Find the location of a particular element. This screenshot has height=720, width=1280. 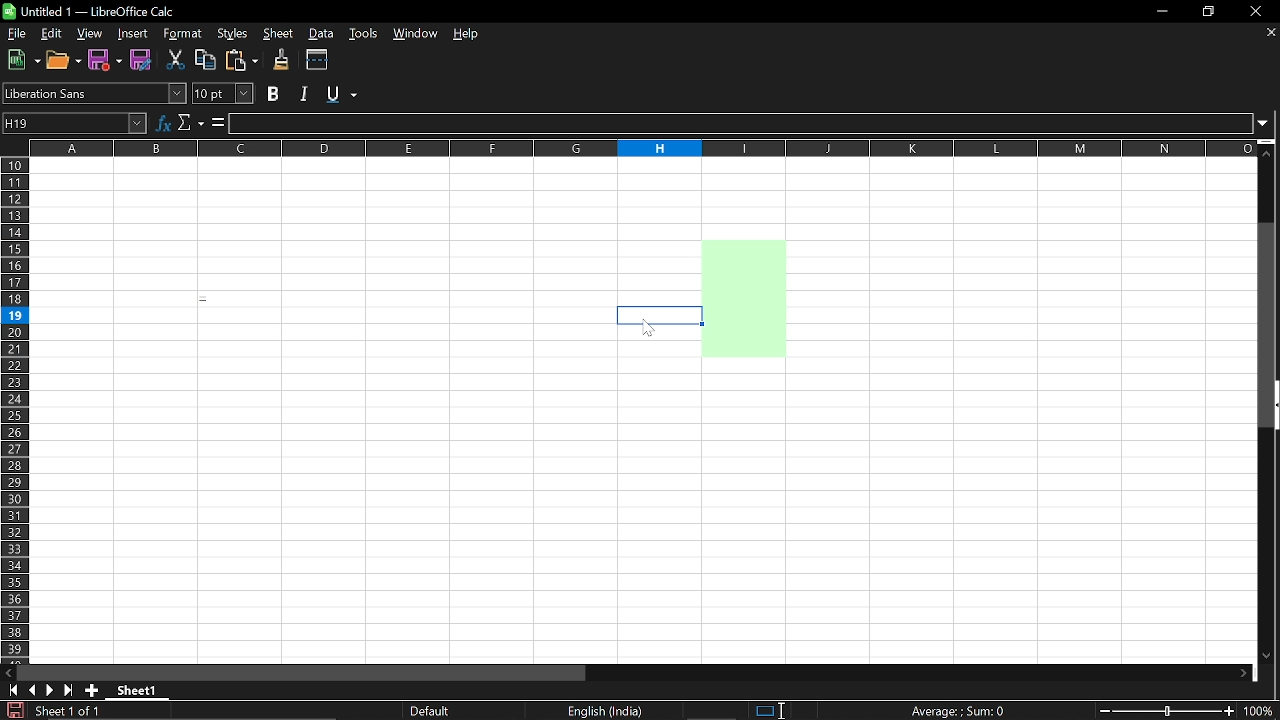

Vertical scrollbar is located at coordinates (1269, 327).